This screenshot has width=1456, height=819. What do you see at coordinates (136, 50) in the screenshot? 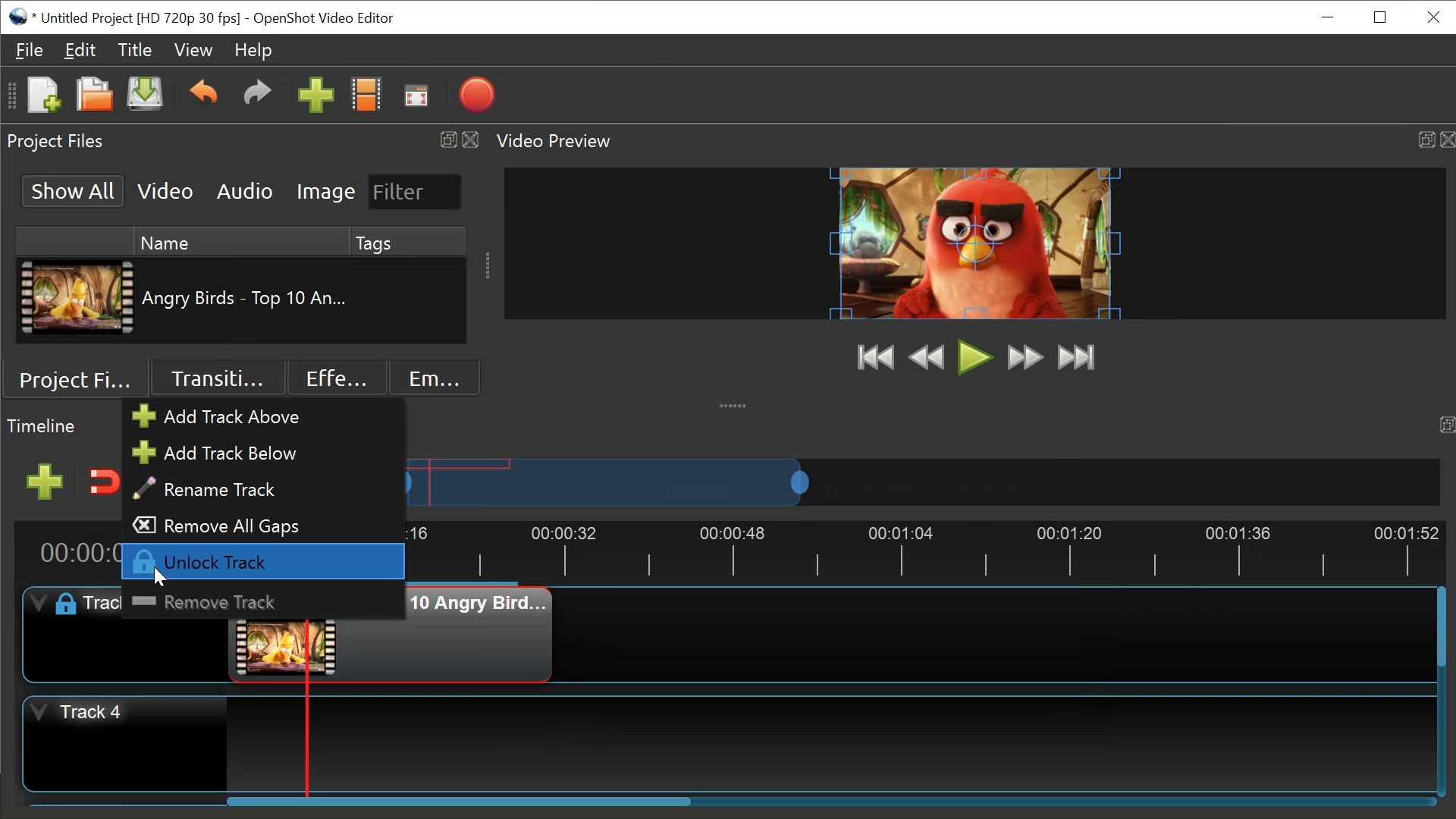
I see `Titles` at bounding box center [136, 50].